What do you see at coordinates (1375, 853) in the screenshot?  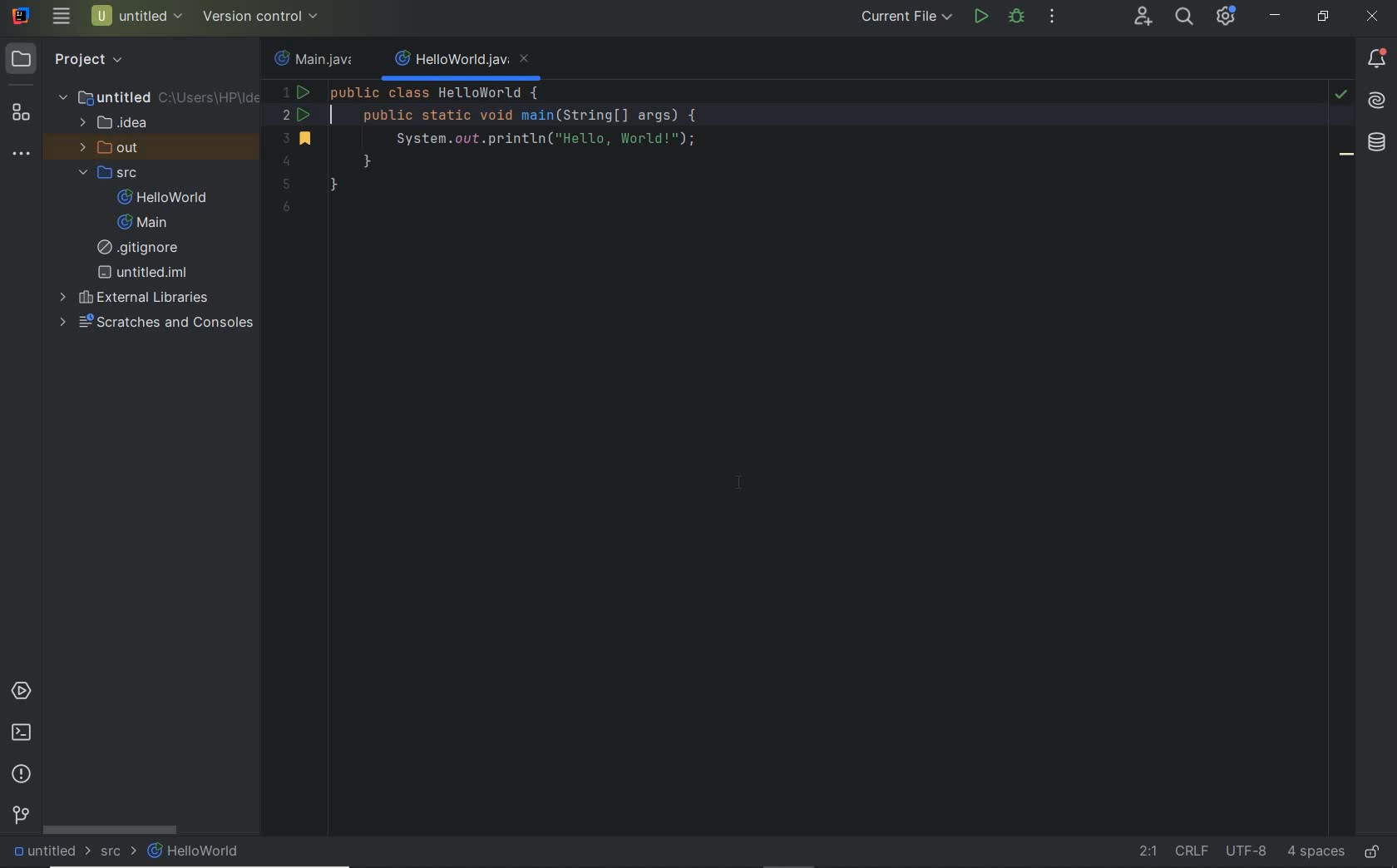 I see `make file ready only` at bounding box center [1375, 853].